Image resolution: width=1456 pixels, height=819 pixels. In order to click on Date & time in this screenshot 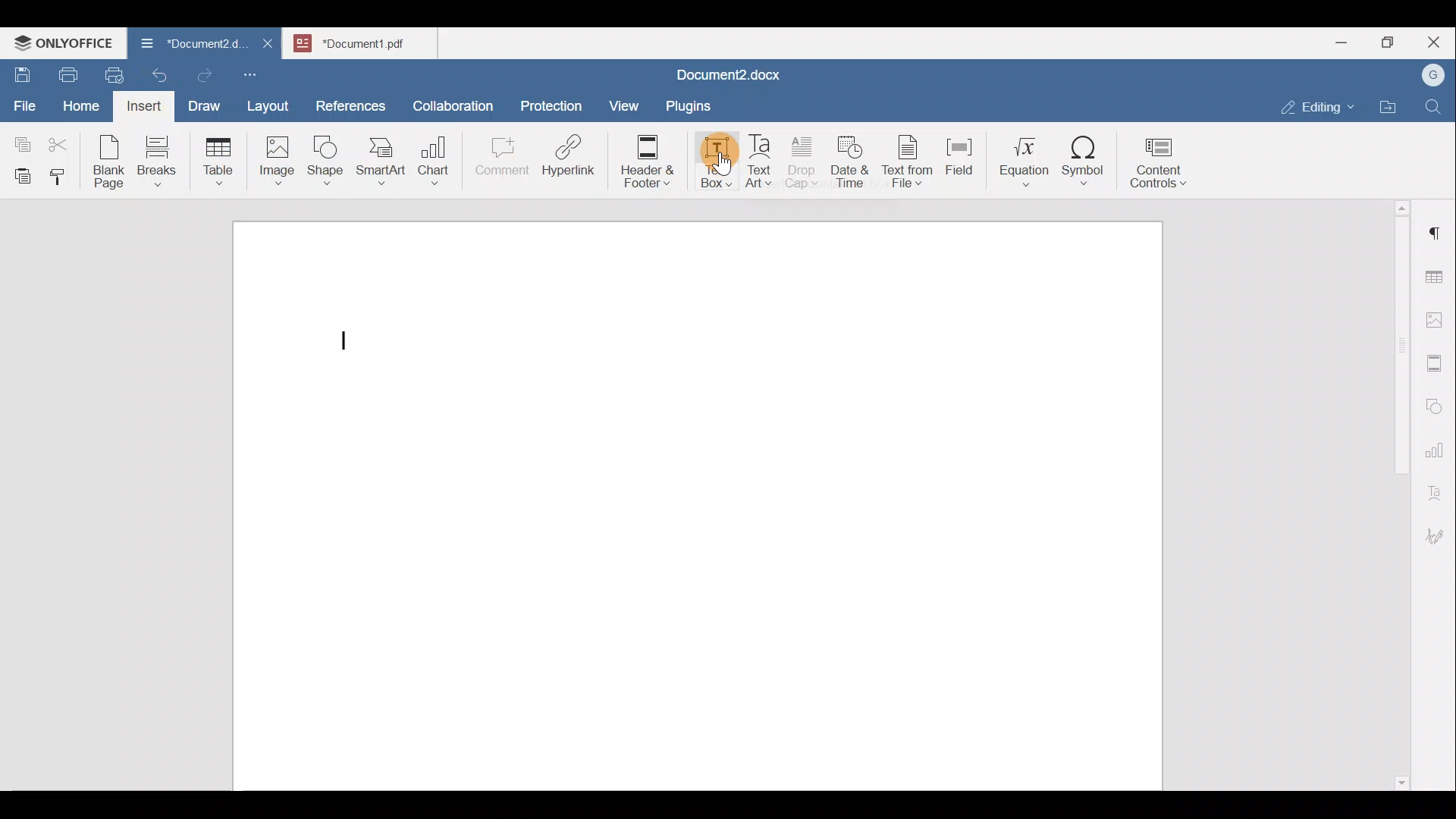, I will do `click(851, 159)`.